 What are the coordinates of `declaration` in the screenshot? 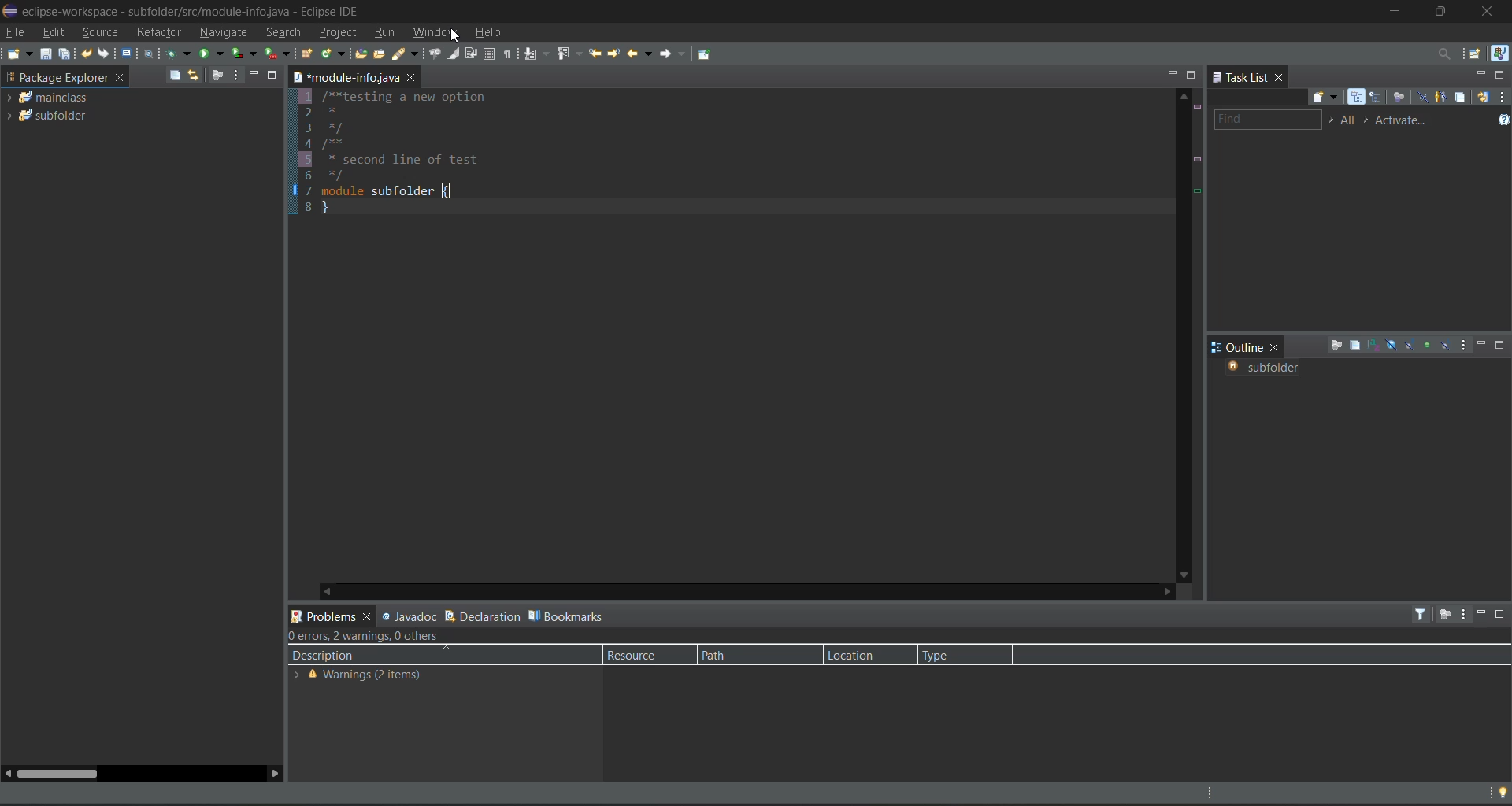 It's located at (482, 616).